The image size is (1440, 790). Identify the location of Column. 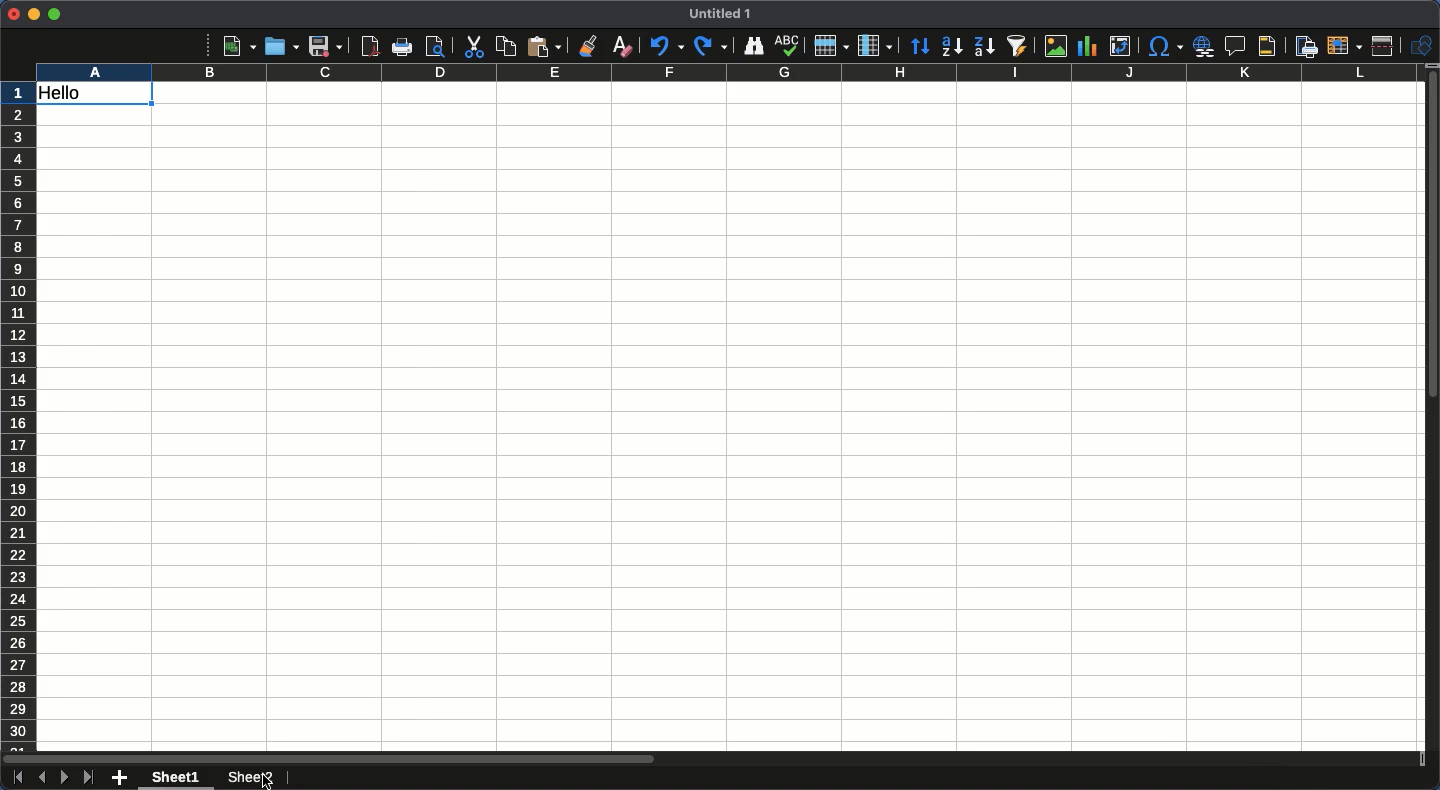
(877, 46).